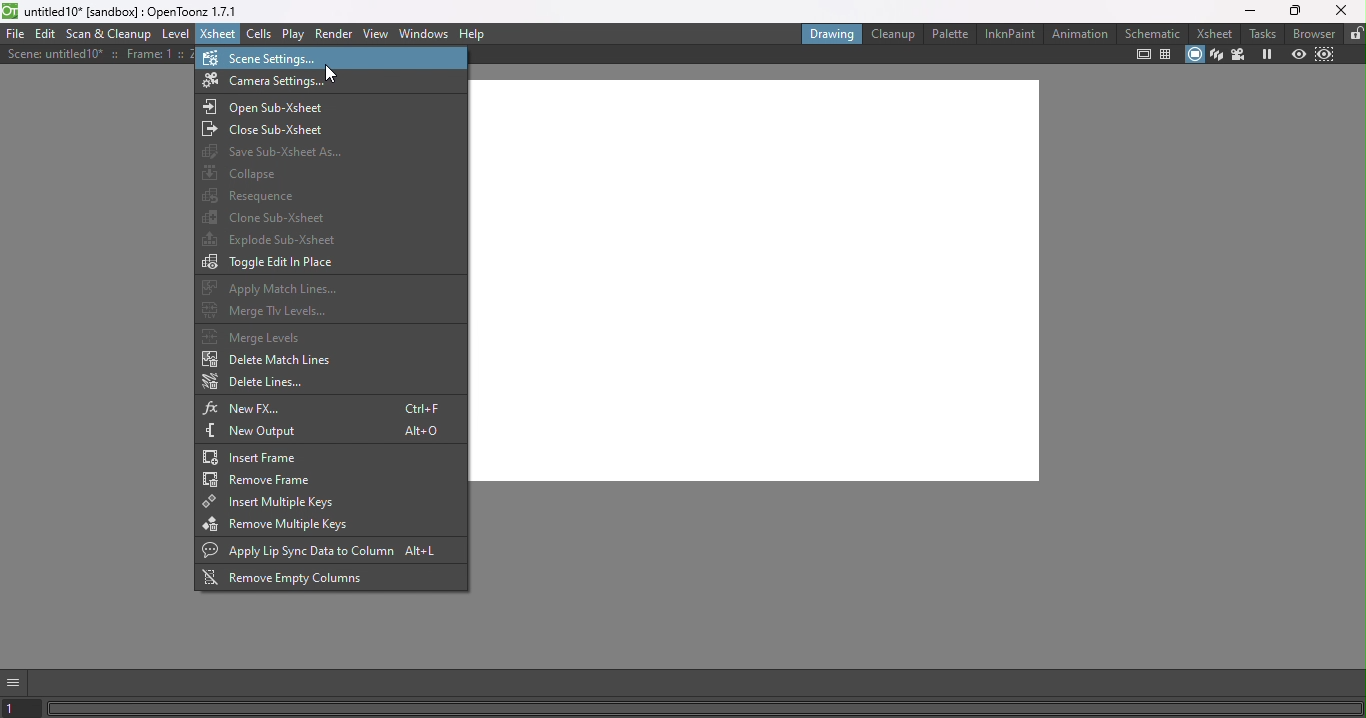 This screenshot has height=718, width=1366. What do you see at coordinates (475, 34) in the screenshot?
I see `Help` at bounding box center [475, 34].